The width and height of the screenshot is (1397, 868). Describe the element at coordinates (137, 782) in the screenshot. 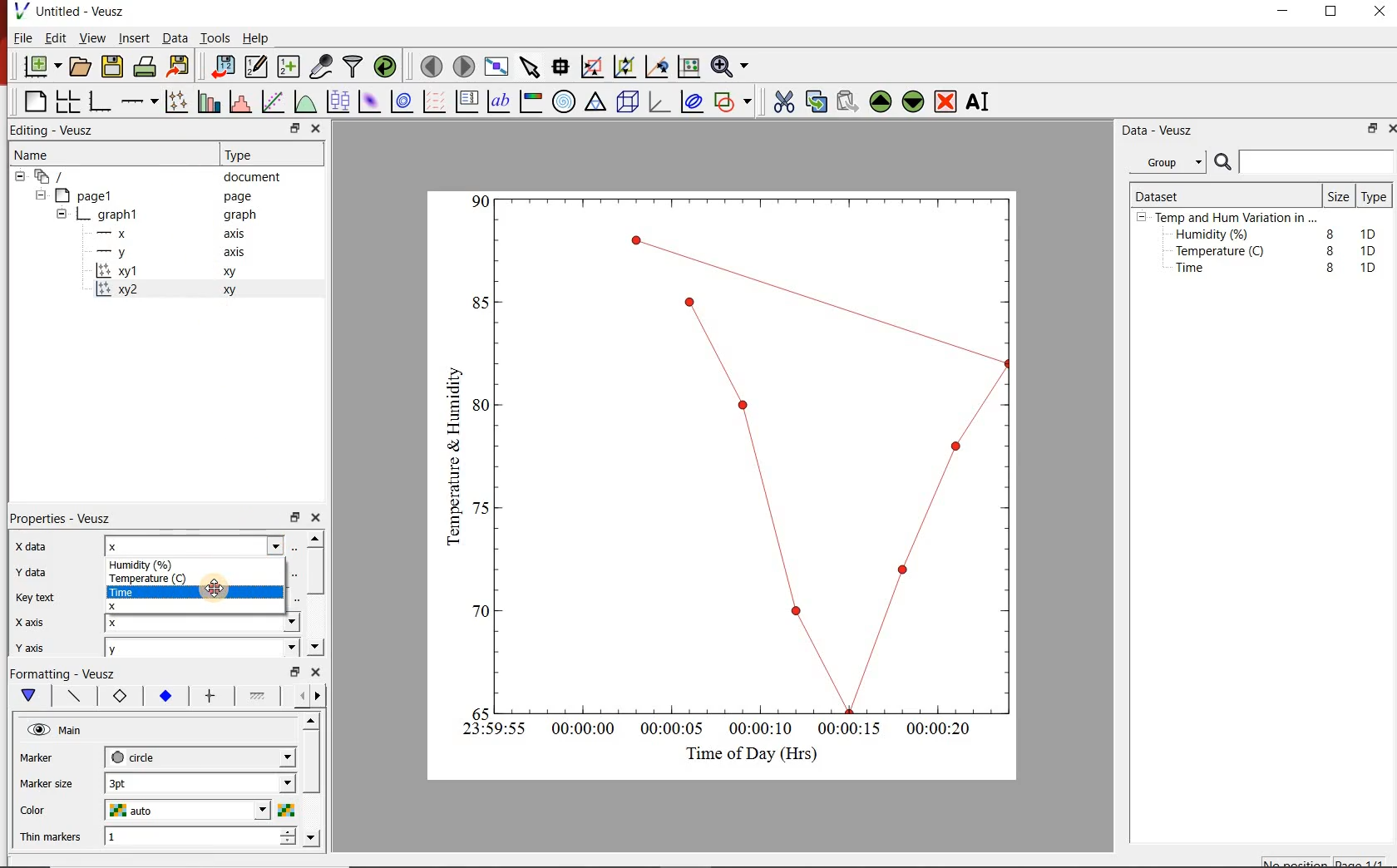

I see `3pt` at that location.